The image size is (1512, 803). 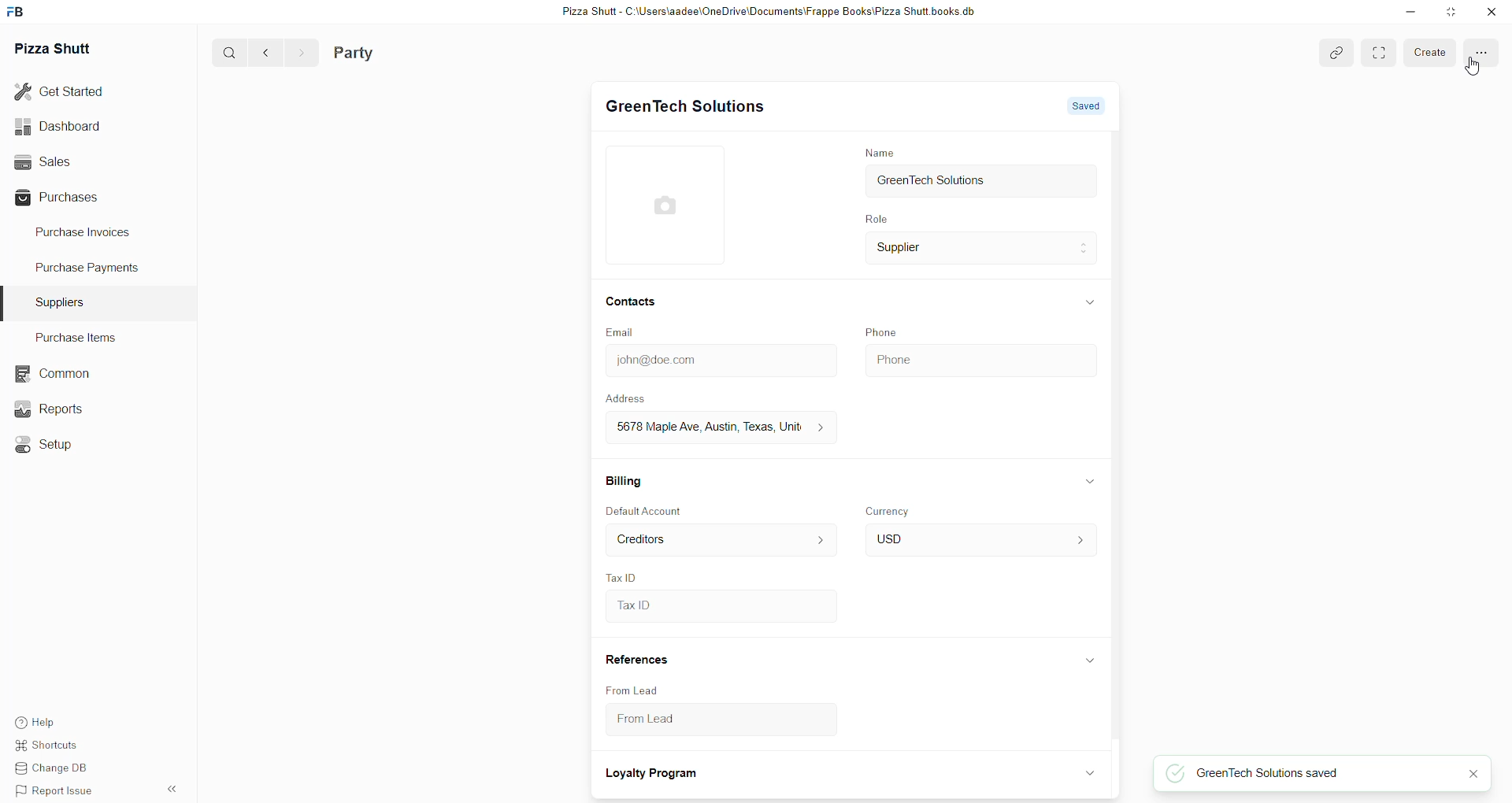 What do you see at coordinates (624, 479) in the screenshot?
I see `Billing` at bounding box center [624, 479].